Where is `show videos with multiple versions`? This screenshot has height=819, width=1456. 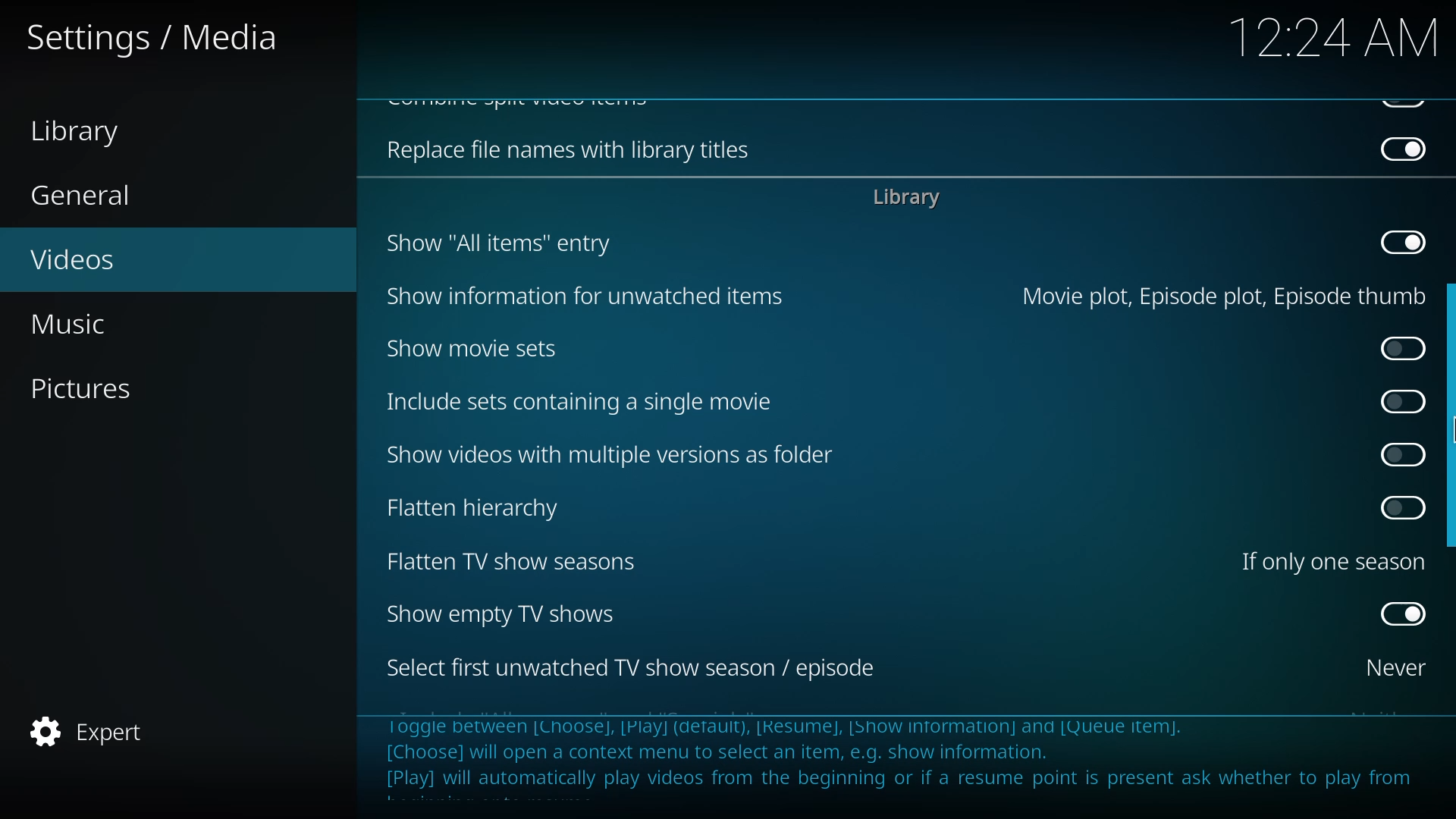 show videos with multiple versions is located at coordinates (608, 454).